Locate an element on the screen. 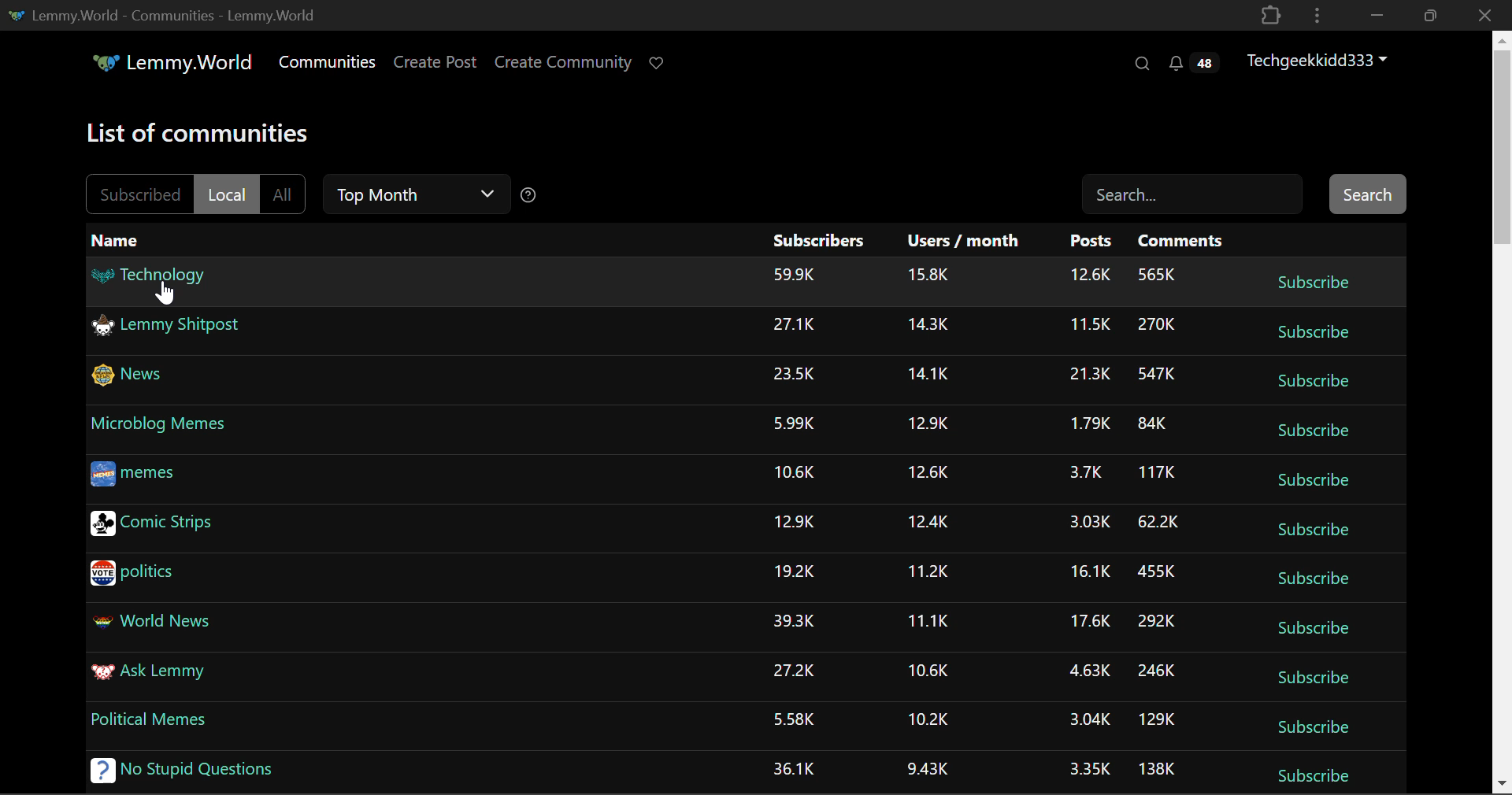  Communities is located at coordinates (328, 65).